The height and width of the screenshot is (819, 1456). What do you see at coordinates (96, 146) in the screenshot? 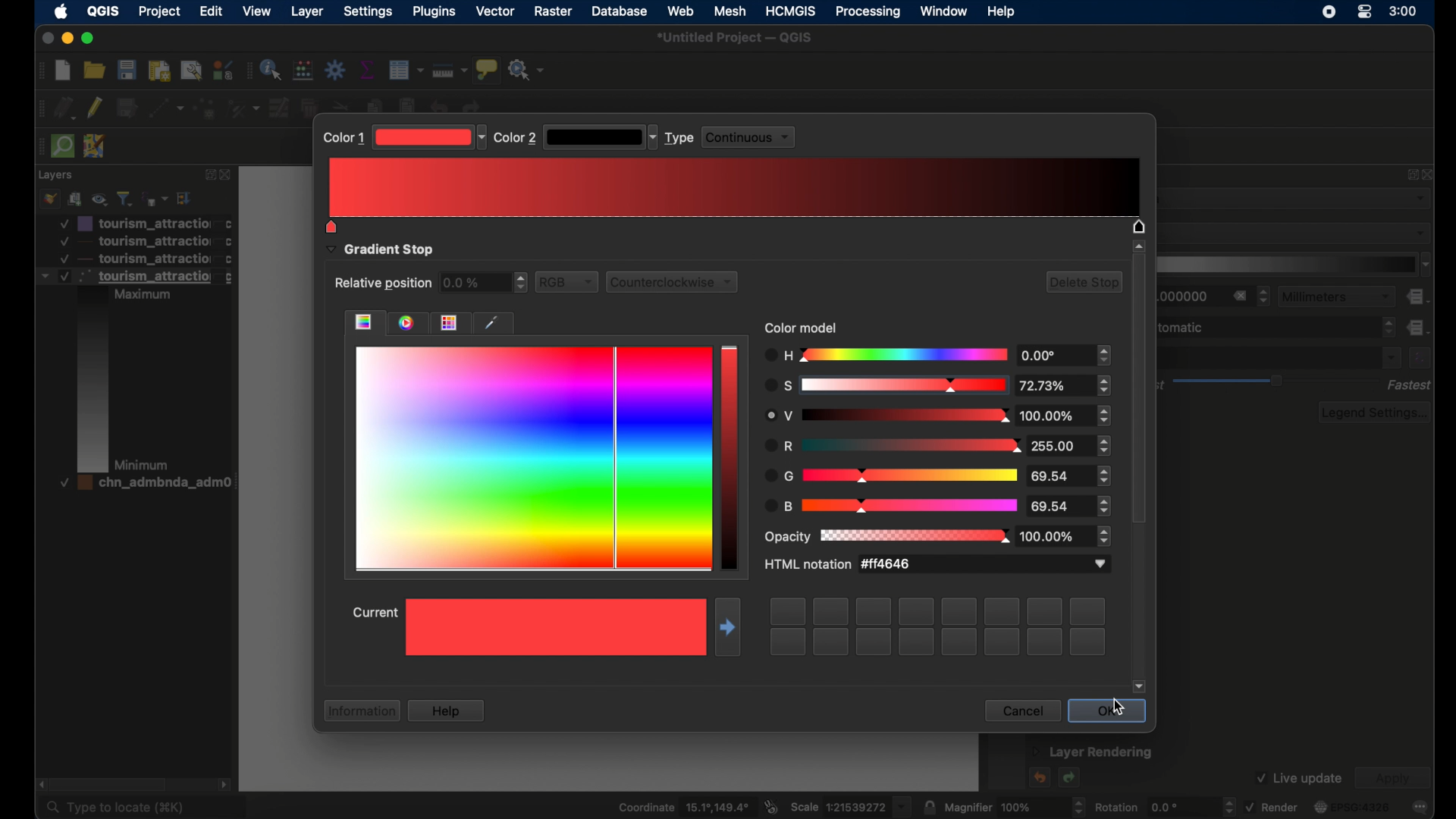
I see `josh remote` at bounding box center [96, 146].